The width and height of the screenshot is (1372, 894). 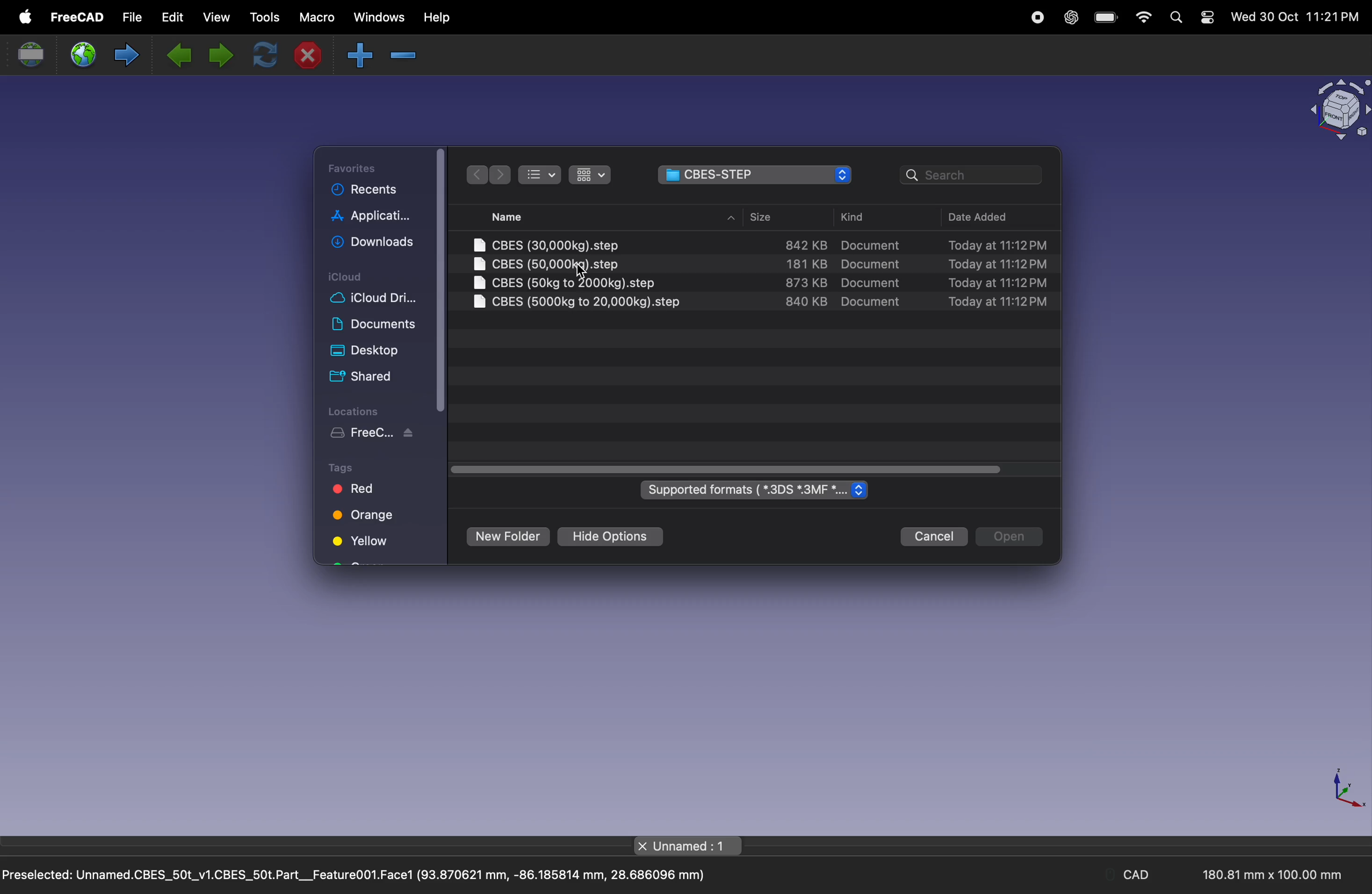 What do you see at coordinates (1342, 790) in the screenshot?
I see `axis` at bounding box center [1342, 790].